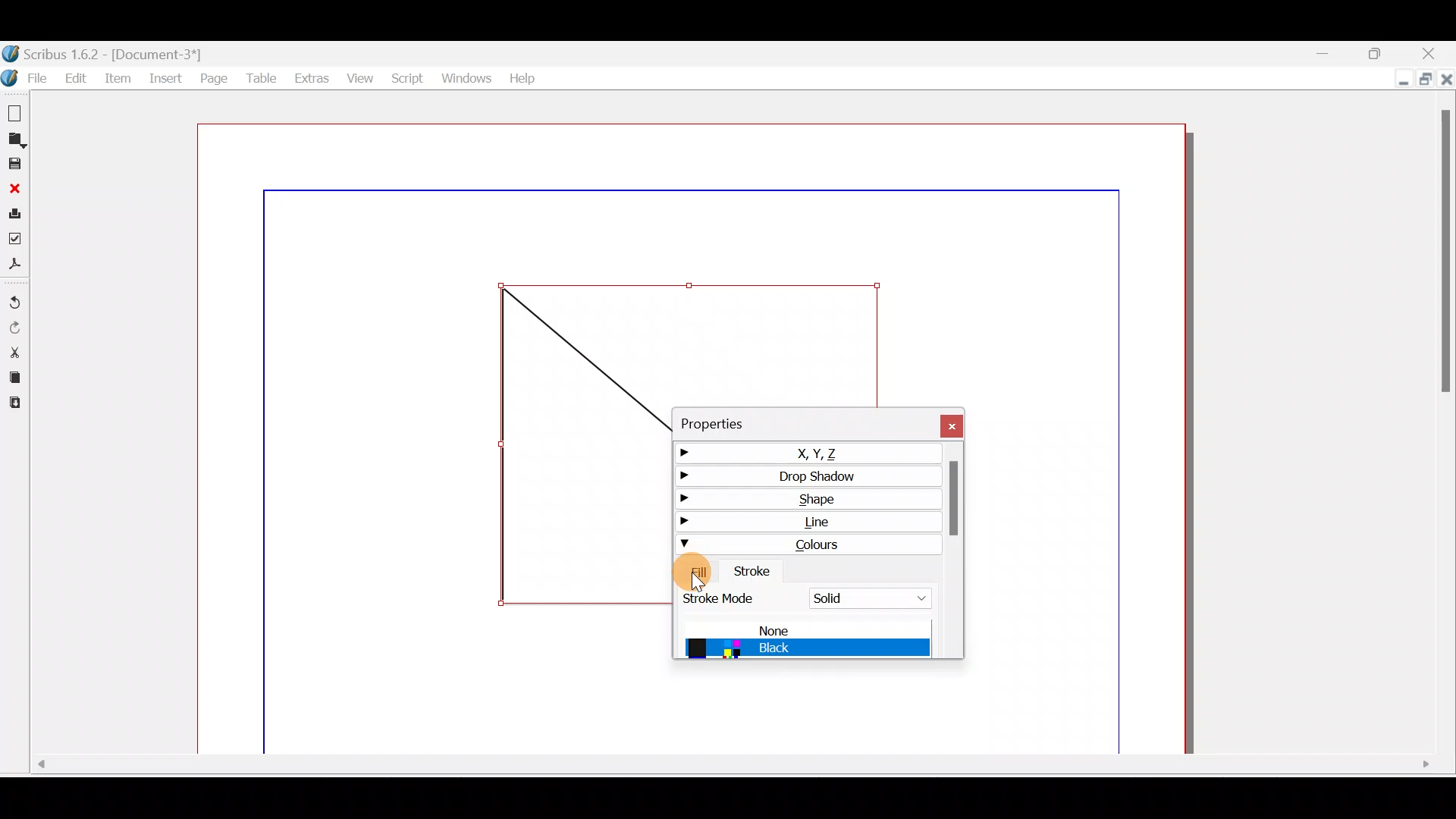  What do you see at coordinates (745, 421) in the screenshot?
I see `Properties` at bounding box center [745, 421].